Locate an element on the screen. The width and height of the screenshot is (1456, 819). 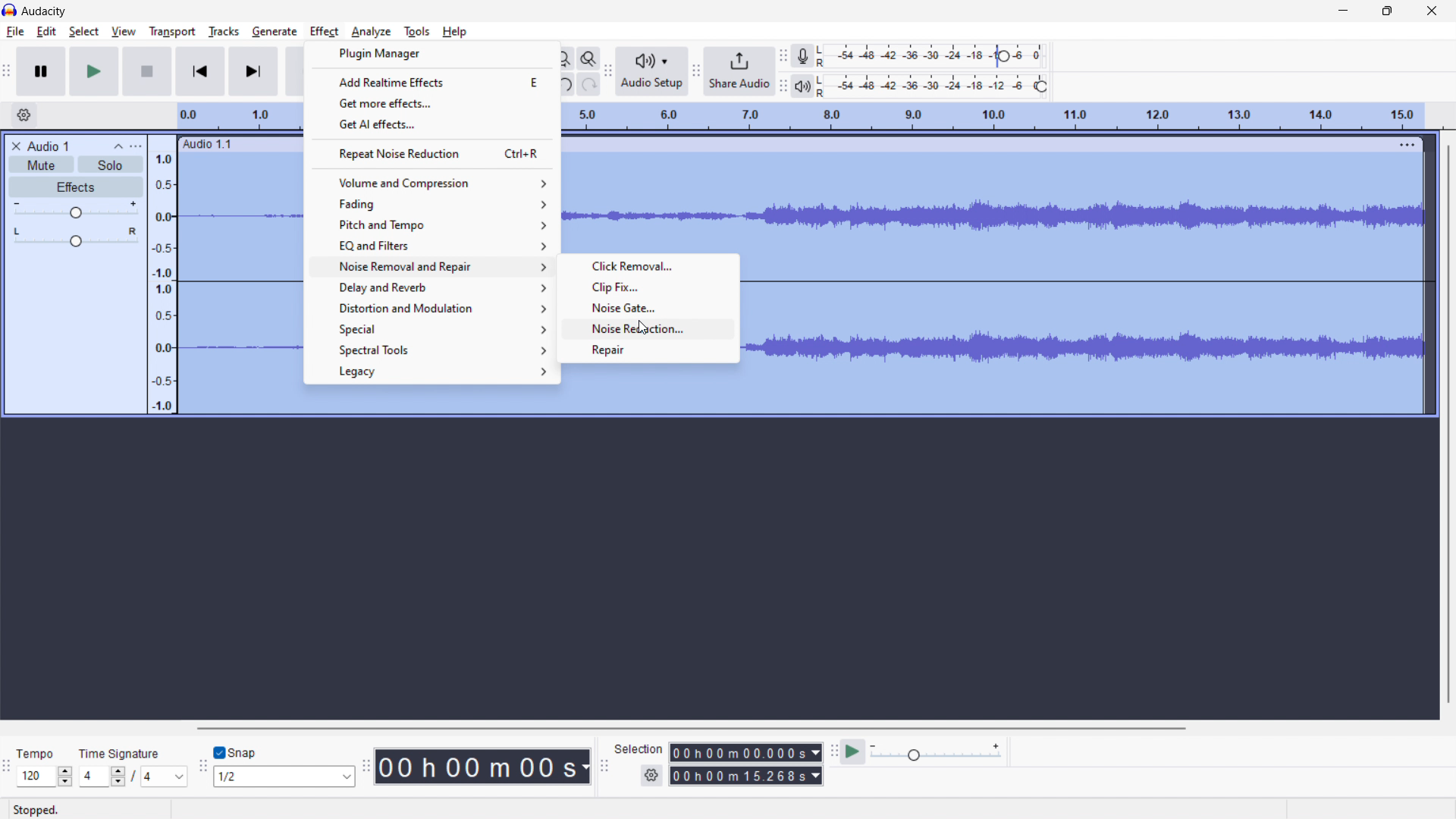
skip to start is located at coordinates (199, 71).